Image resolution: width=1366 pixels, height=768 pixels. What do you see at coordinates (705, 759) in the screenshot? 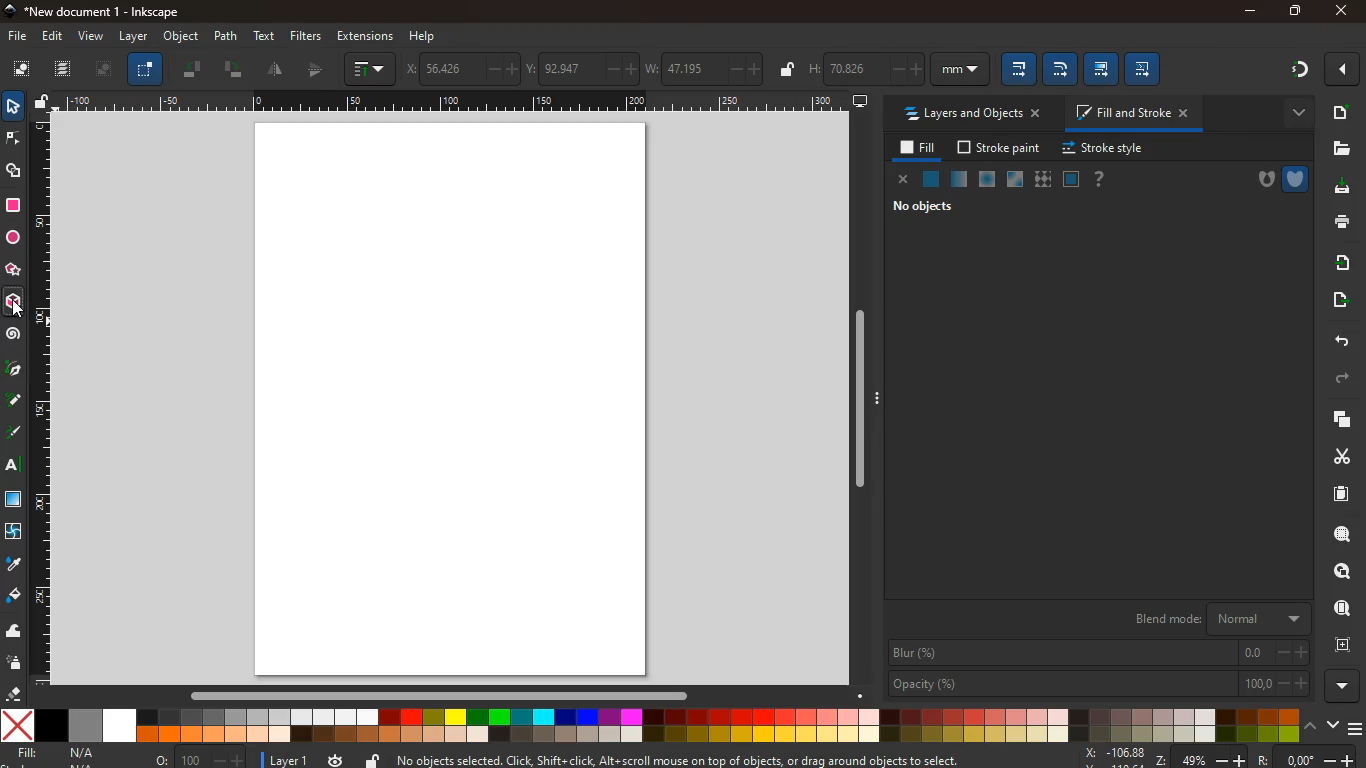
I see `message` at bounding box center [705, 759].